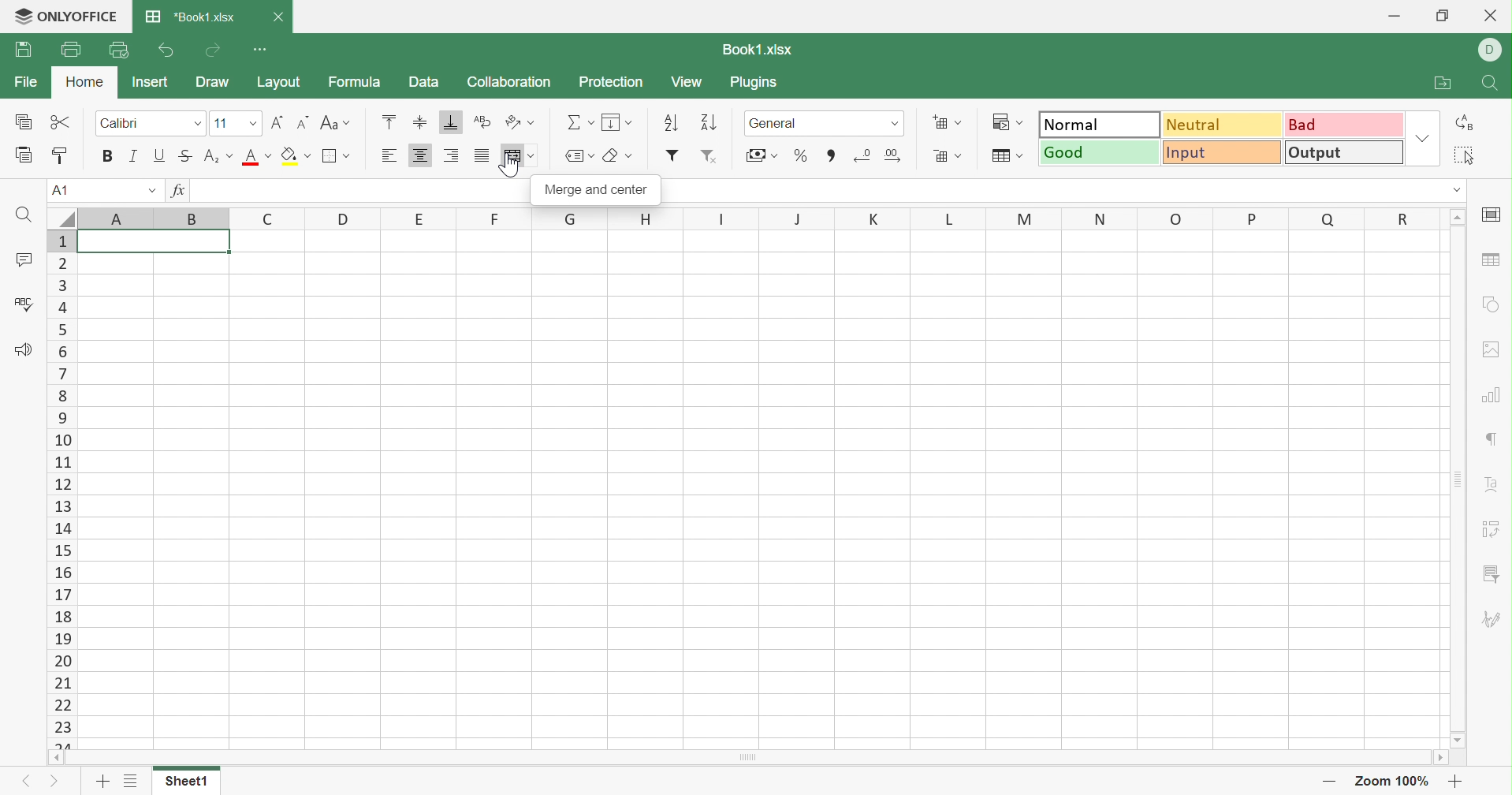 This screenshot has width=1512, height=795. I want to click on Align Bottom, so click(449, 123).